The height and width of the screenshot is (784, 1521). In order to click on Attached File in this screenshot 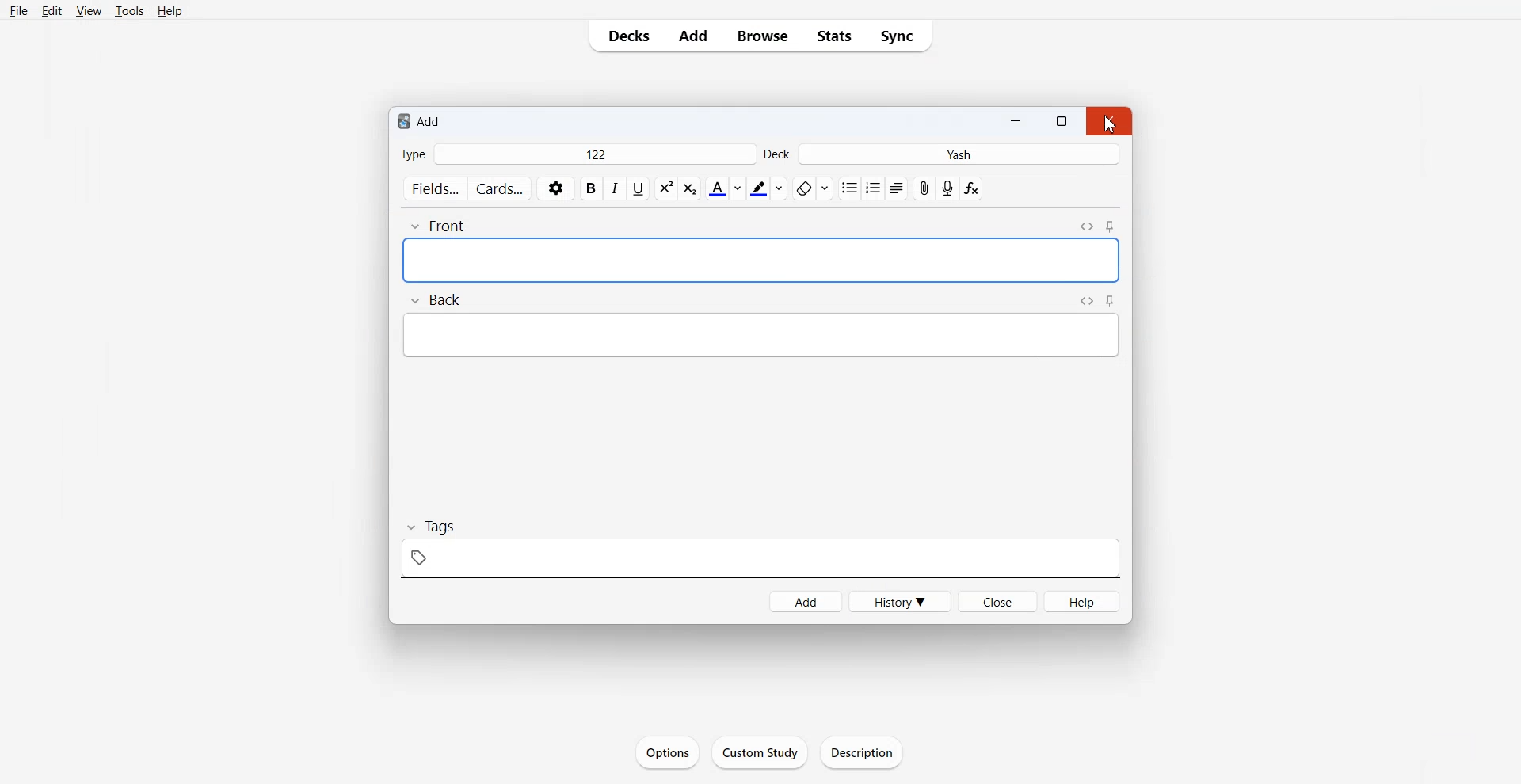, I will do `click(923, 188)`.